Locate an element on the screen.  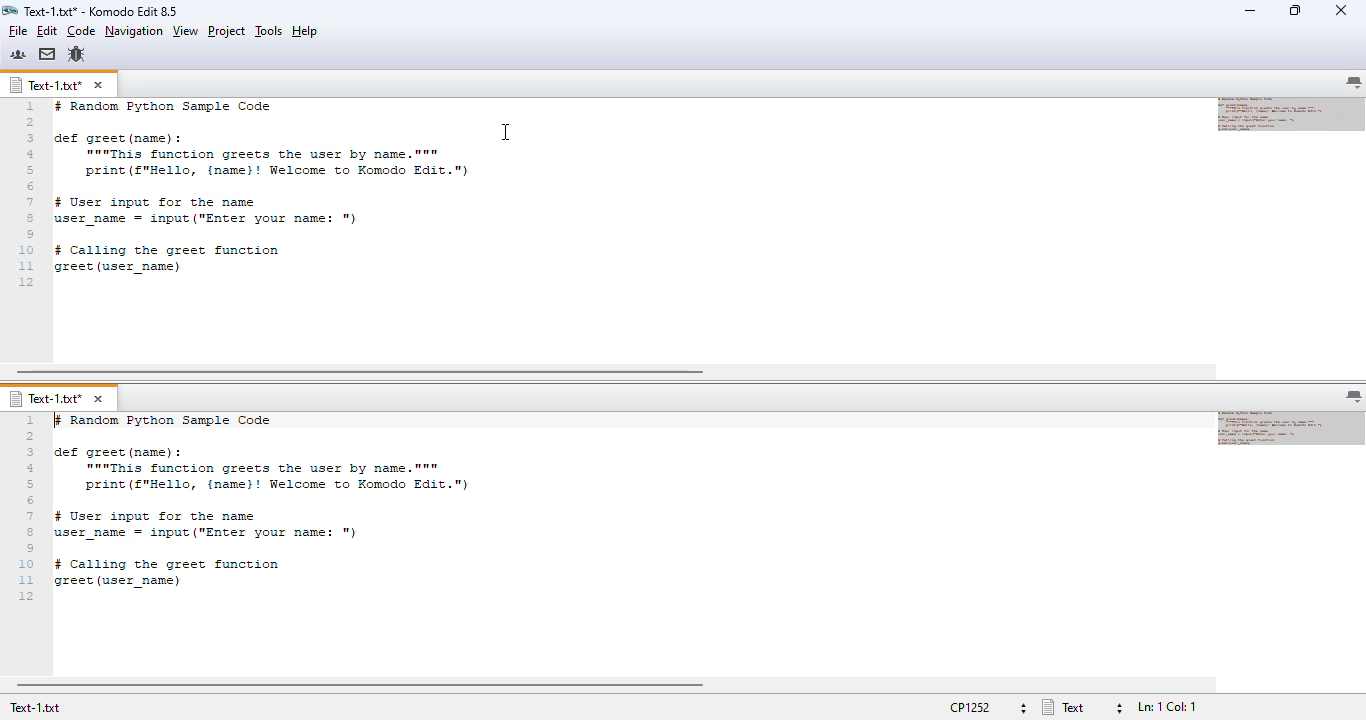
cursor is located at coordinates (507, 133).